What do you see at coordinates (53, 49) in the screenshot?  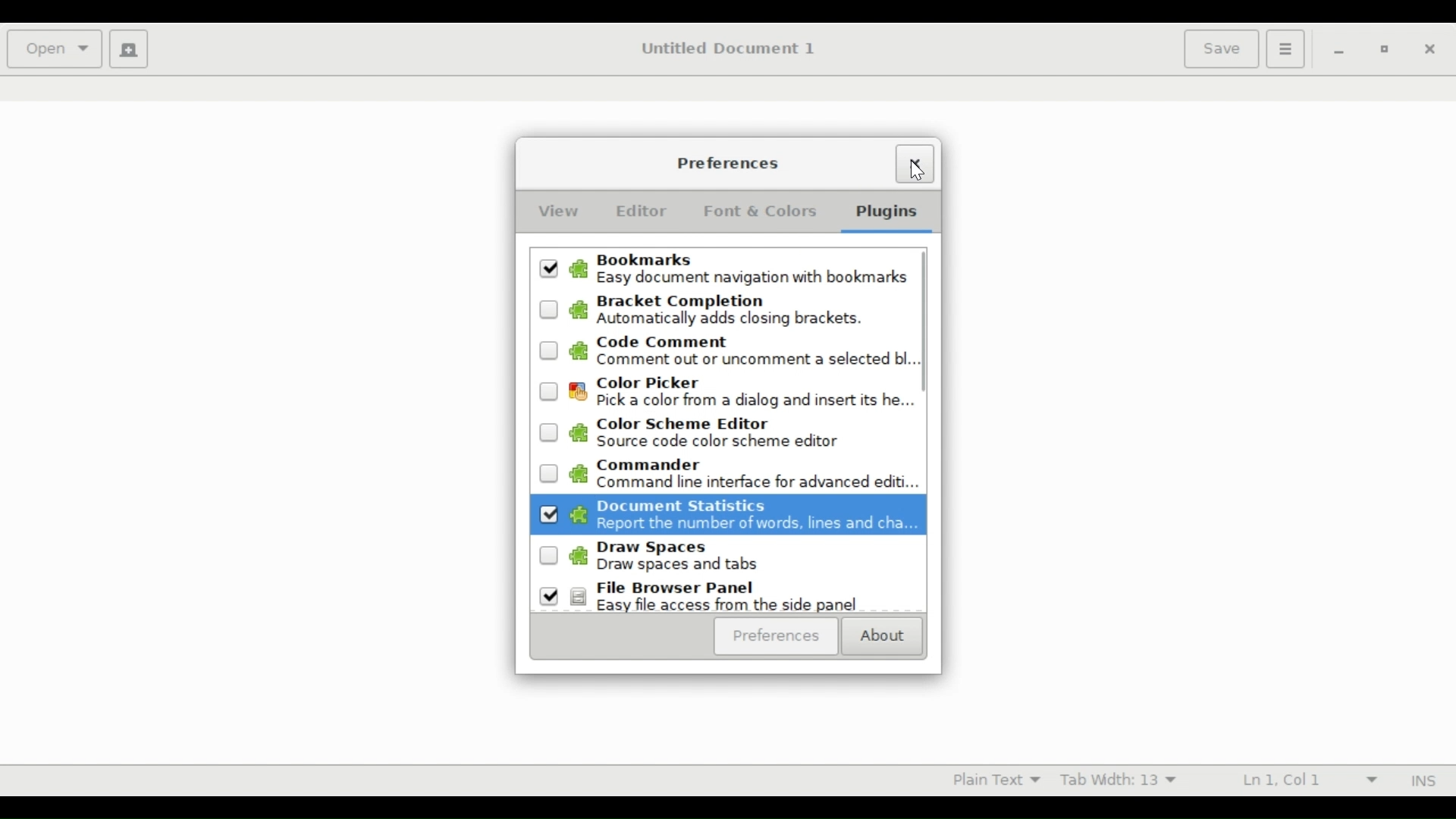 I see `Open` at bounding box center [53, 49].